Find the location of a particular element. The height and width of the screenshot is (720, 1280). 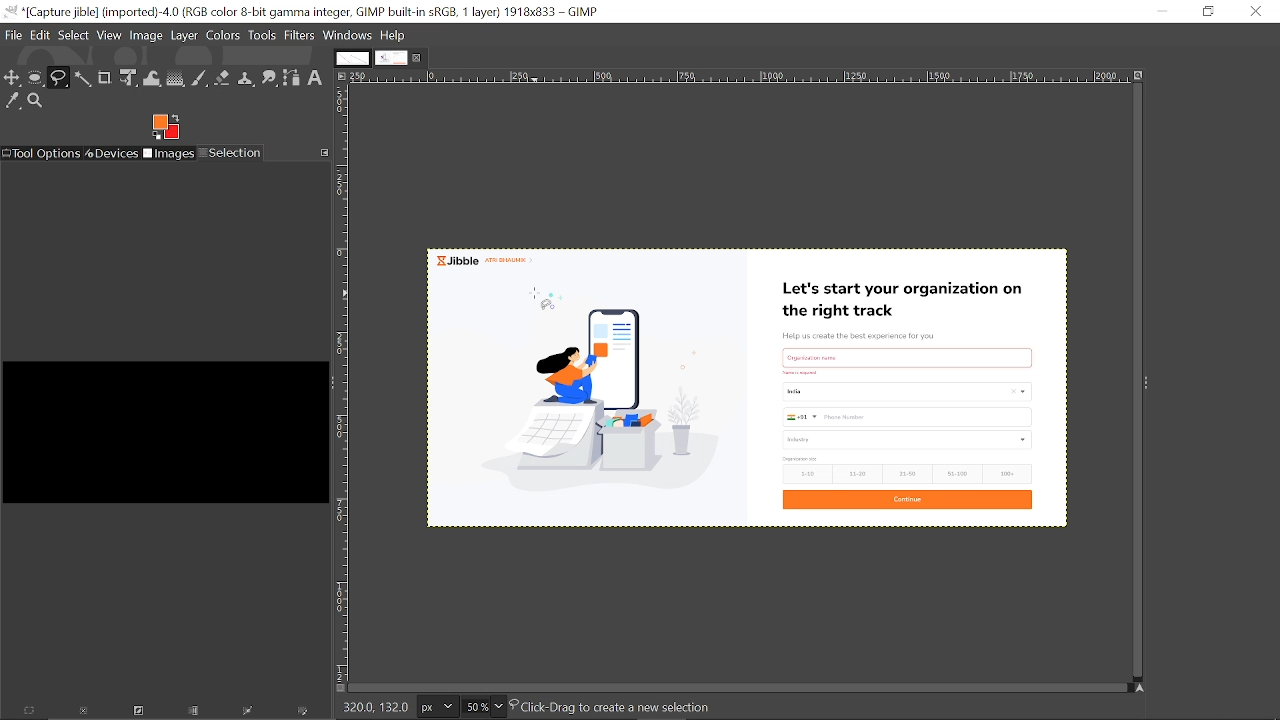

Text tool is located at coordinates (317, 78).